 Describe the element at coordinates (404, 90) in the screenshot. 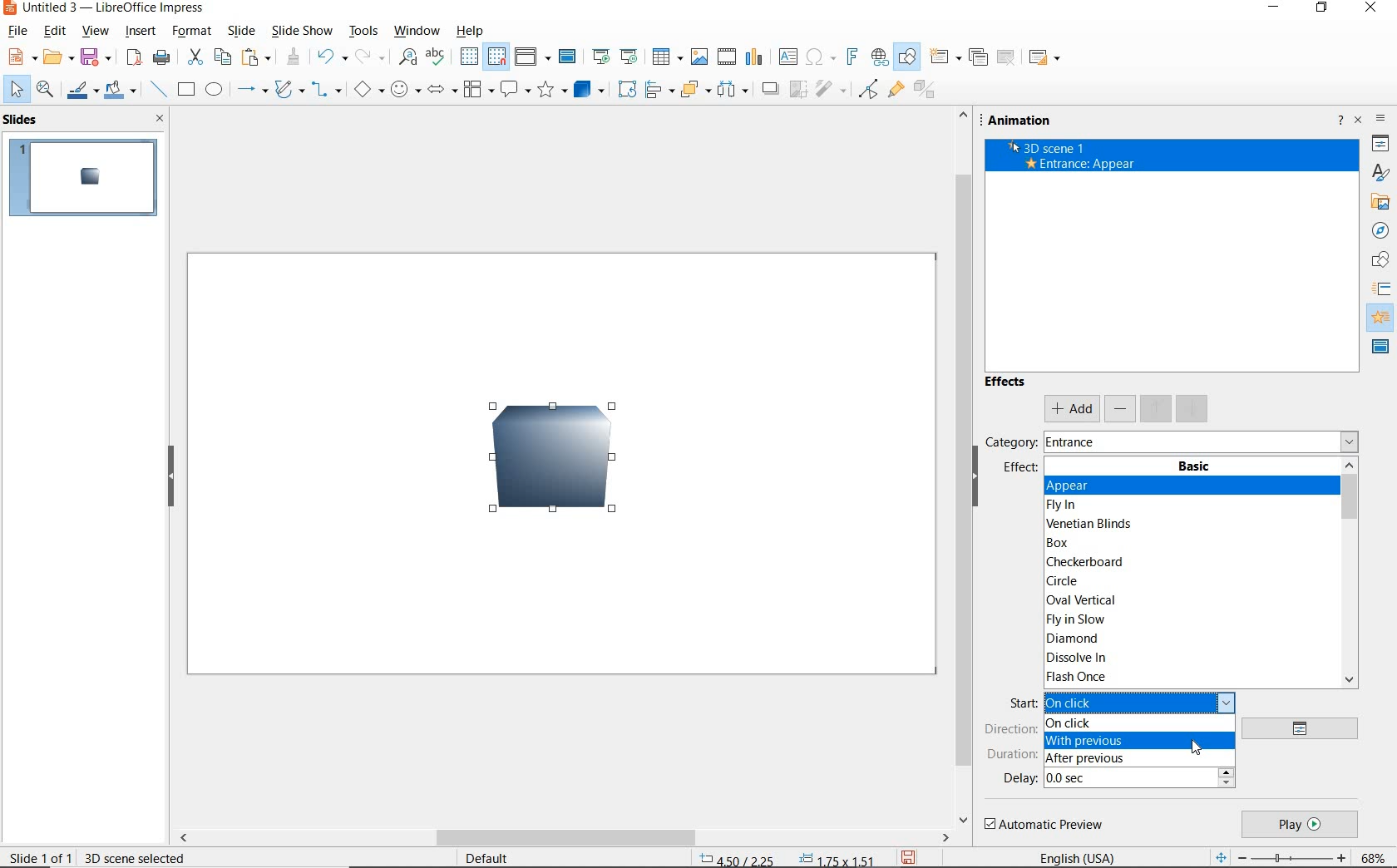

I see `symbol shapes` at that location.